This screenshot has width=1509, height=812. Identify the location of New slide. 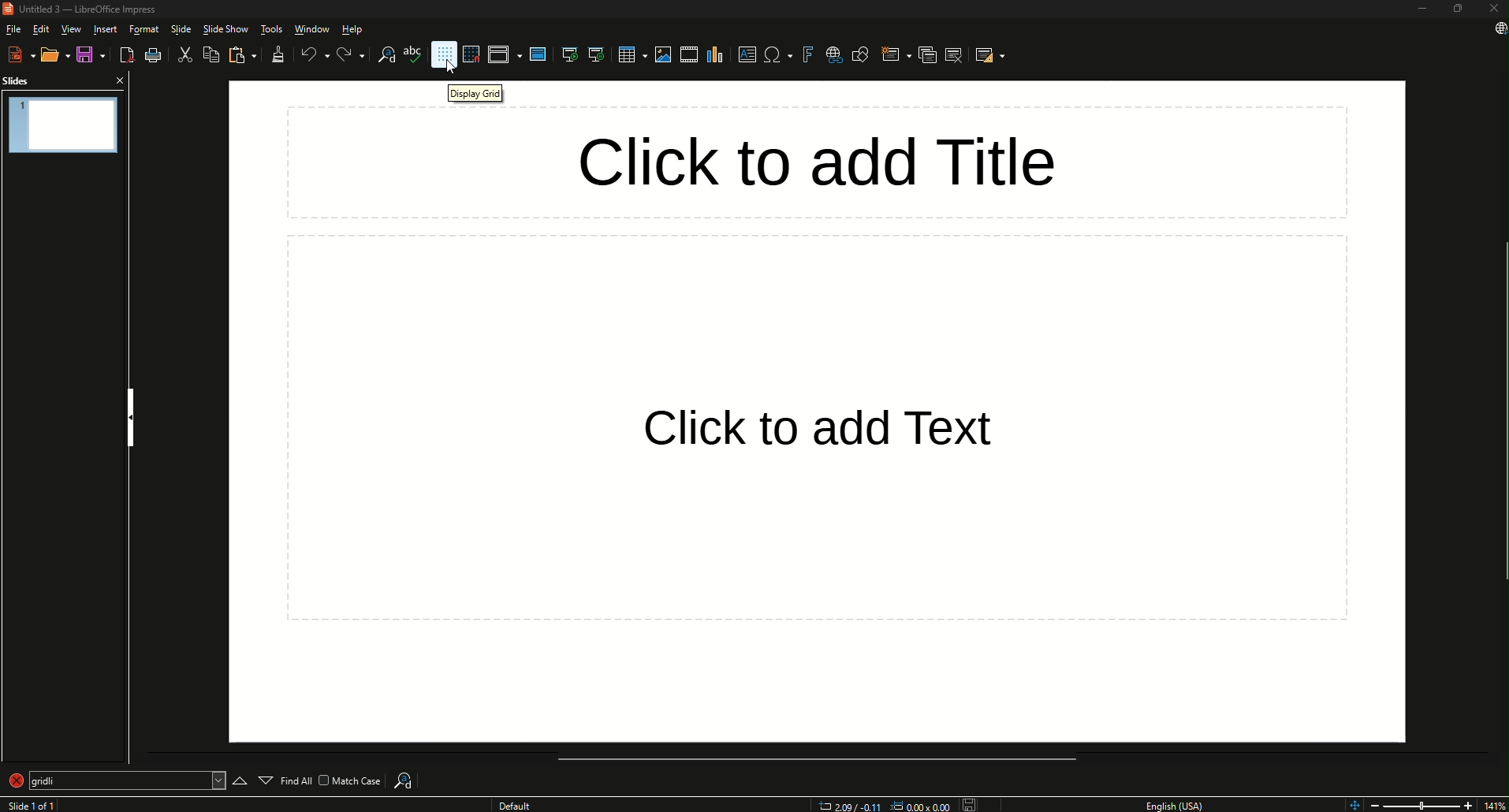
(889, 54).